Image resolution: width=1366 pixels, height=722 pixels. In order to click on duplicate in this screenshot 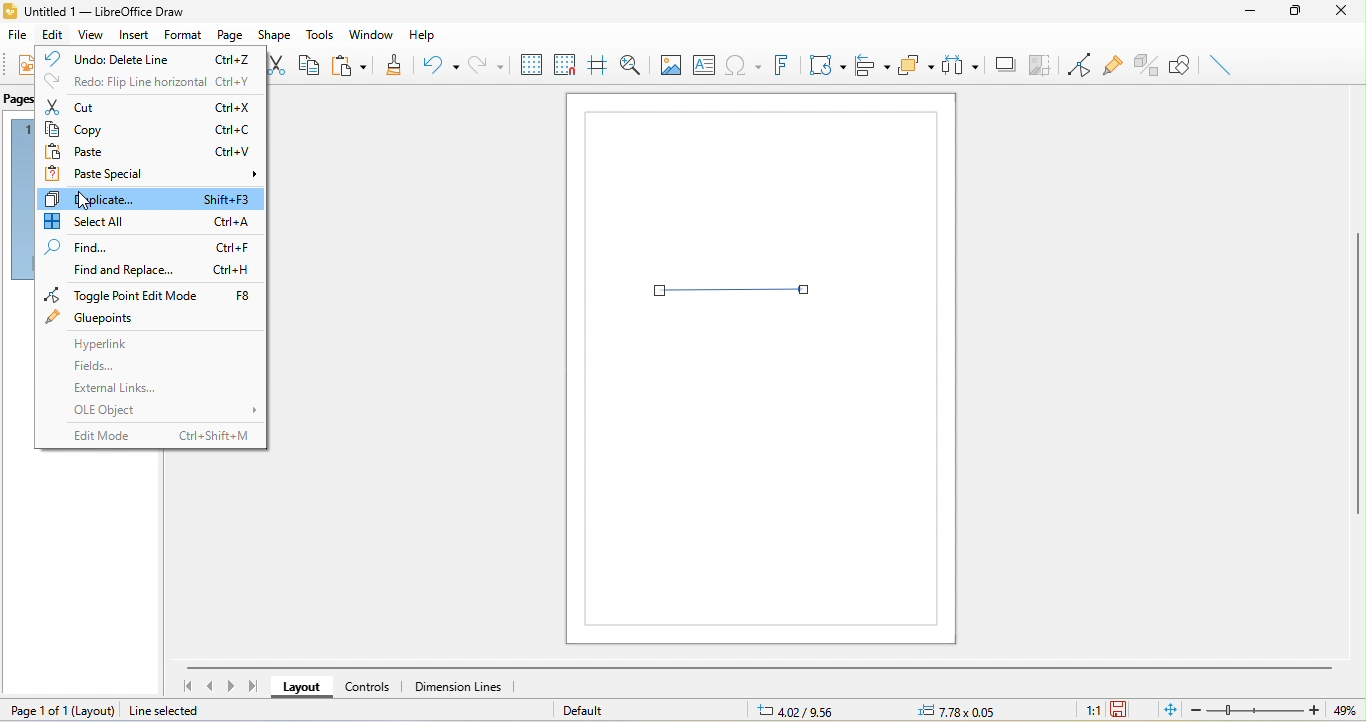, I will do `click(153, 198)`.